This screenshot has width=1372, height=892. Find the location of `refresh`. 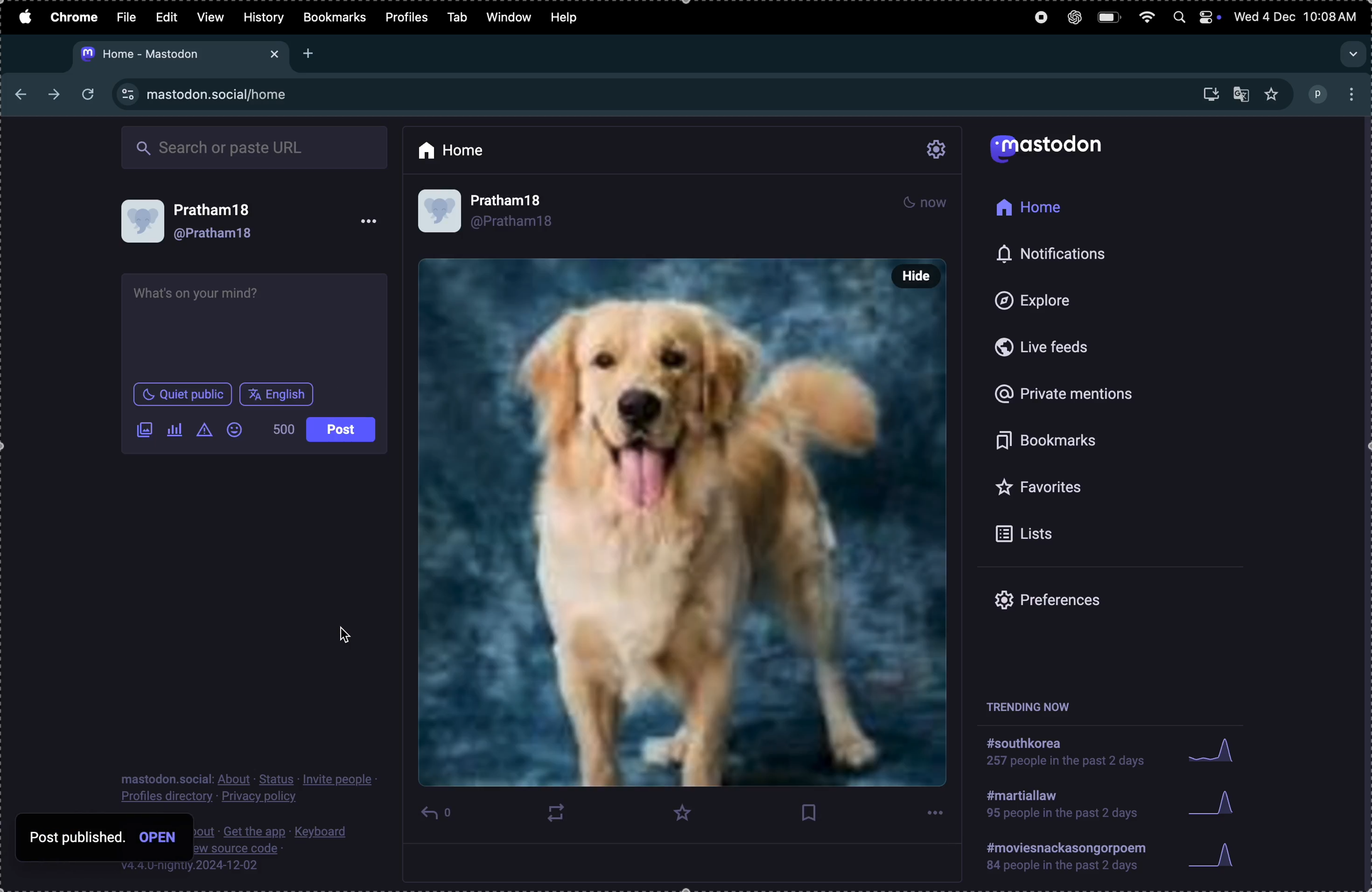

refresh is located at coordinates (84, 95).